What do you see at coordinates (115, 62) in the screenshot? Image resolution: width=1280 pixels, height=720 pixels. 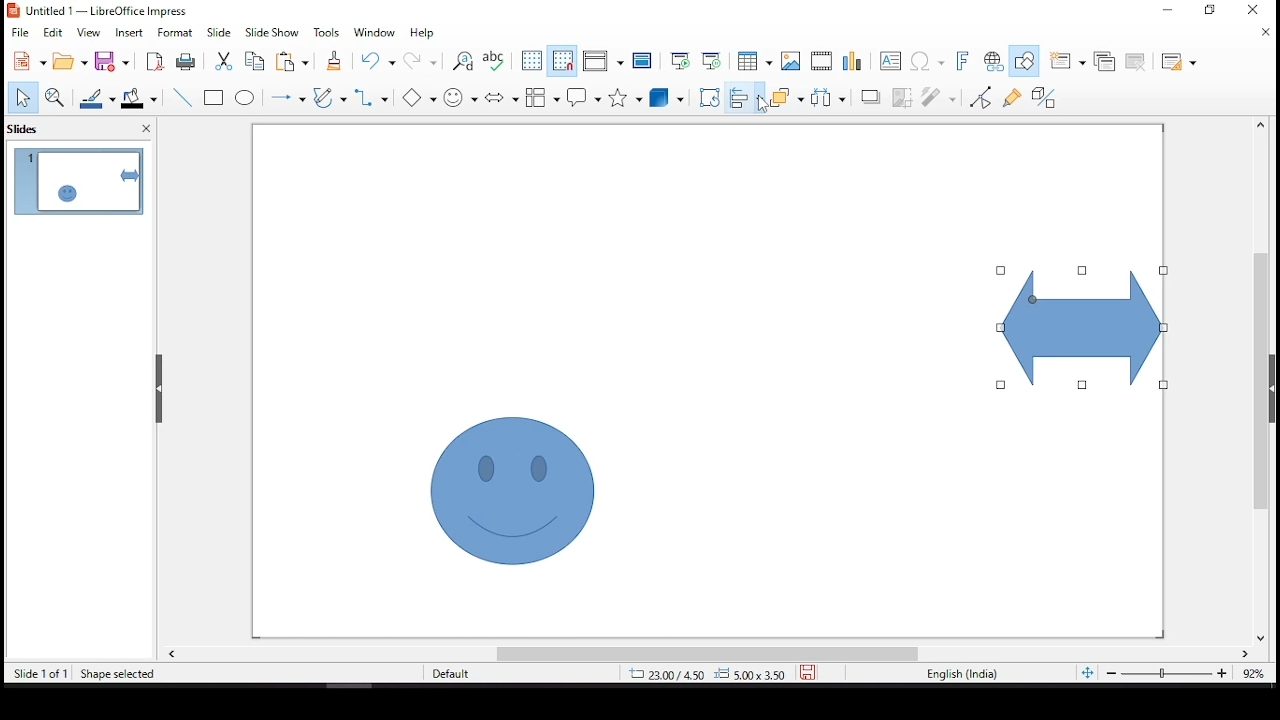 I see `save` at bounding box center [115, 62].